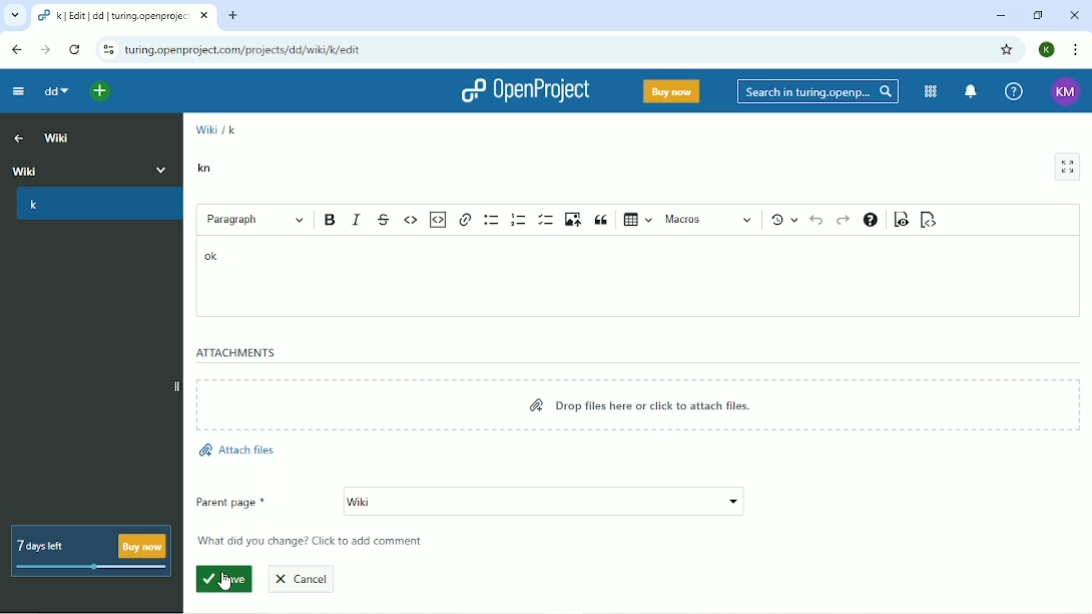 This screenshot has height=614, width=1092. I want to click on More, so click(160, 168).